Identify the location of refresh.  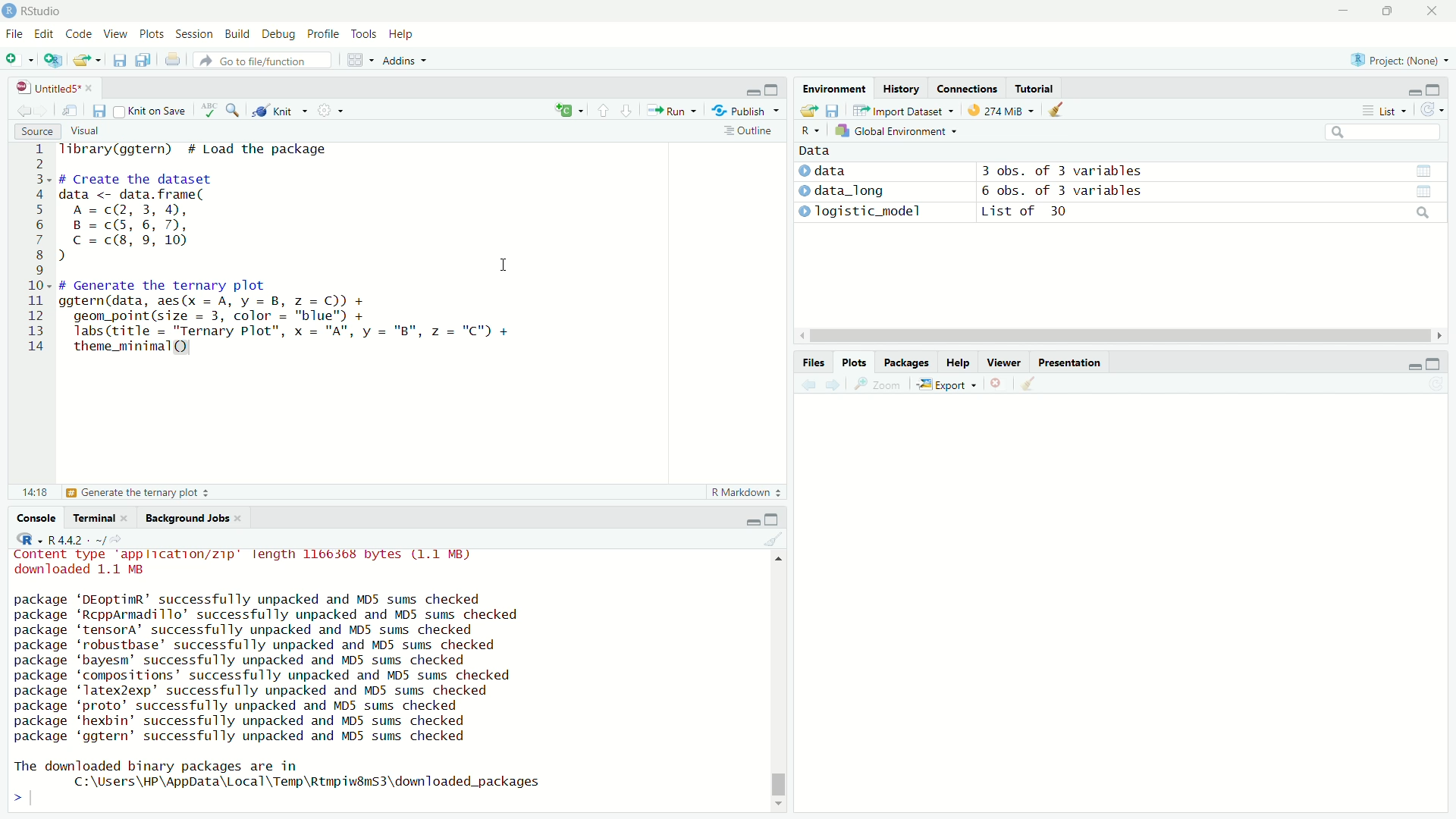
(1432, 112).